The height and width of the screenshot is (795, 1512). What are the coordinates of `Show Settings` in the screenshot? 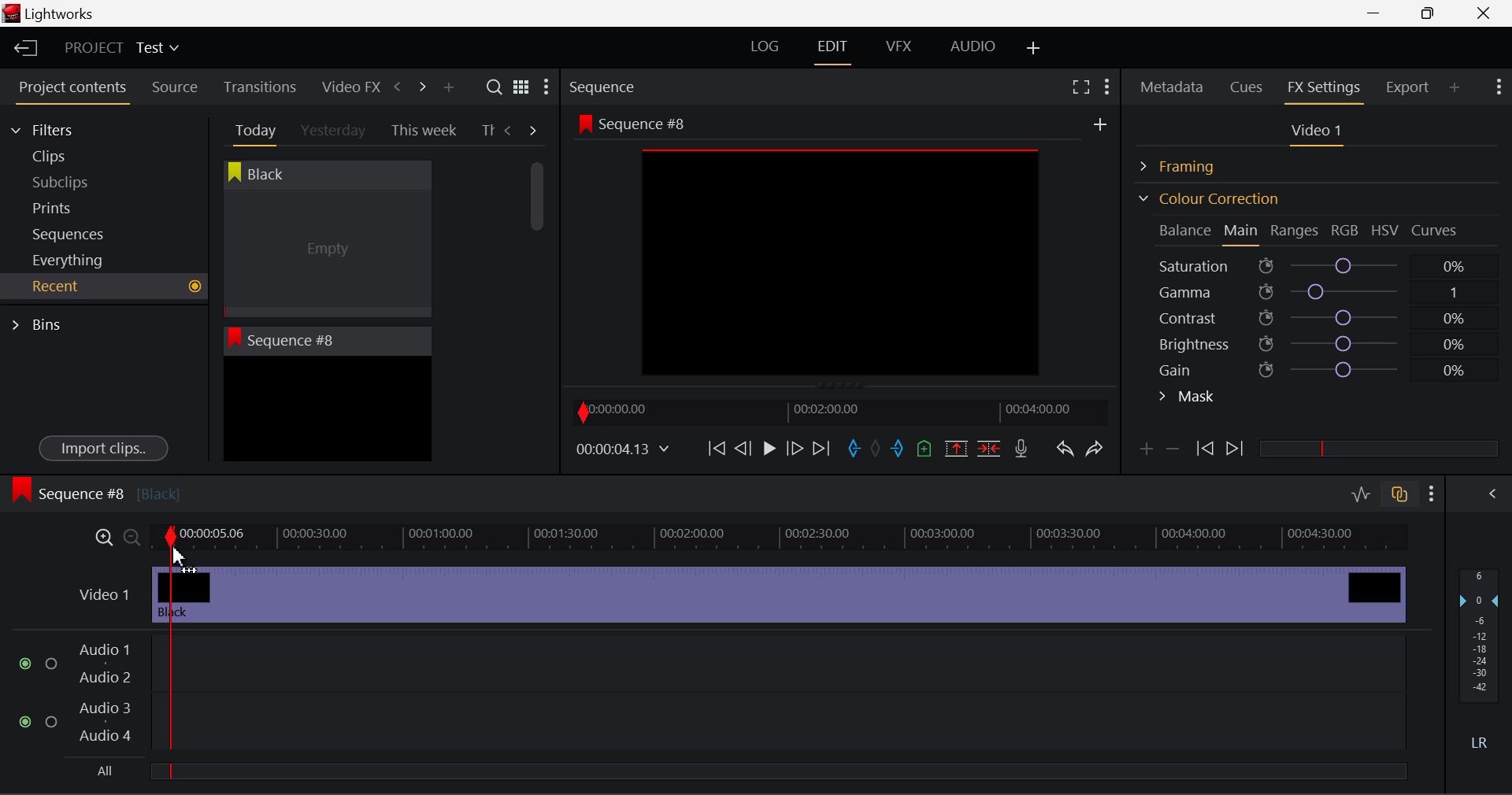 It's located at (1497, 85).